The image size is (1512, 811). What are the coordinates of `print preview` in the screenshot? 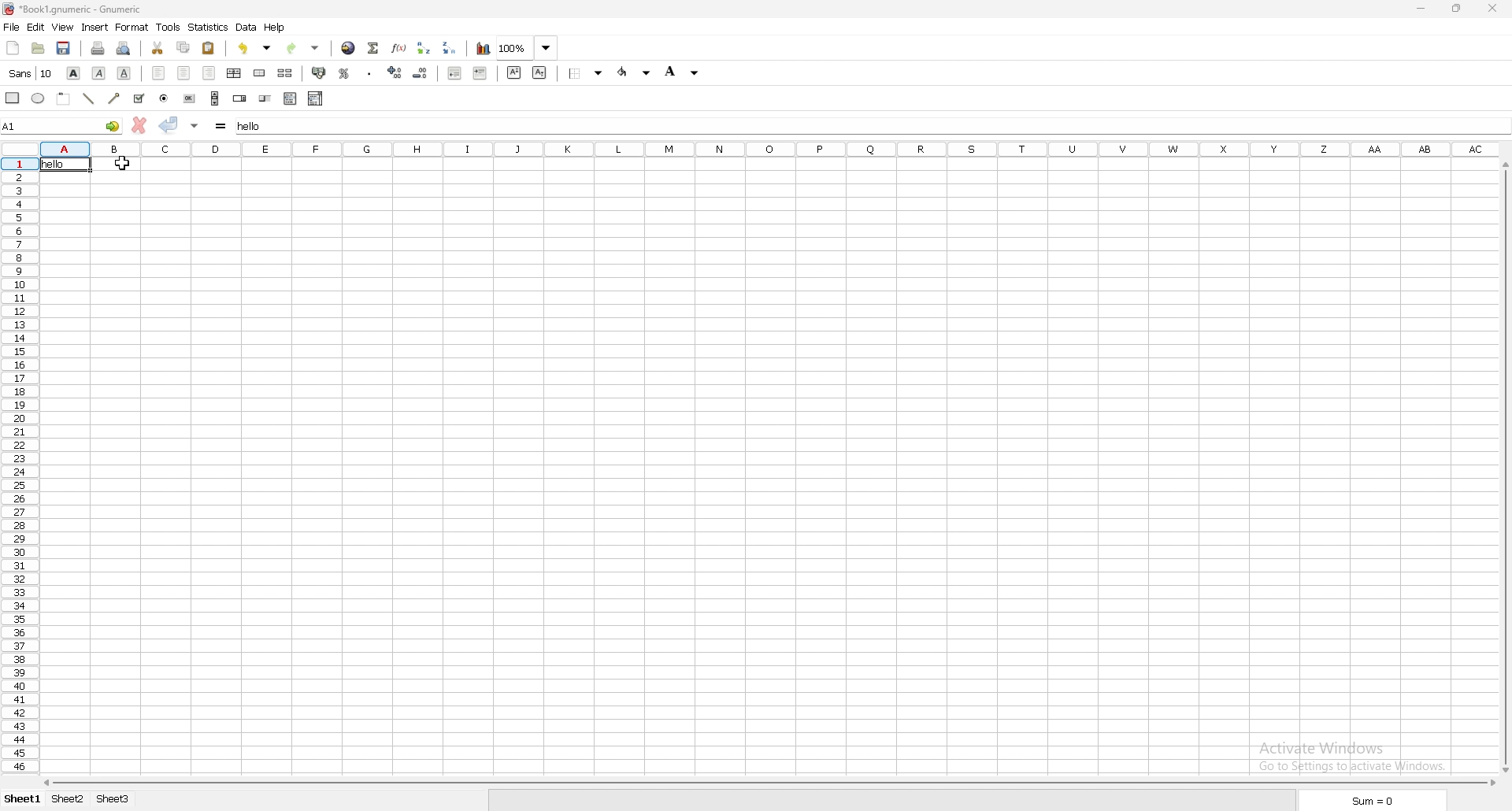 It's located at (124, 48).